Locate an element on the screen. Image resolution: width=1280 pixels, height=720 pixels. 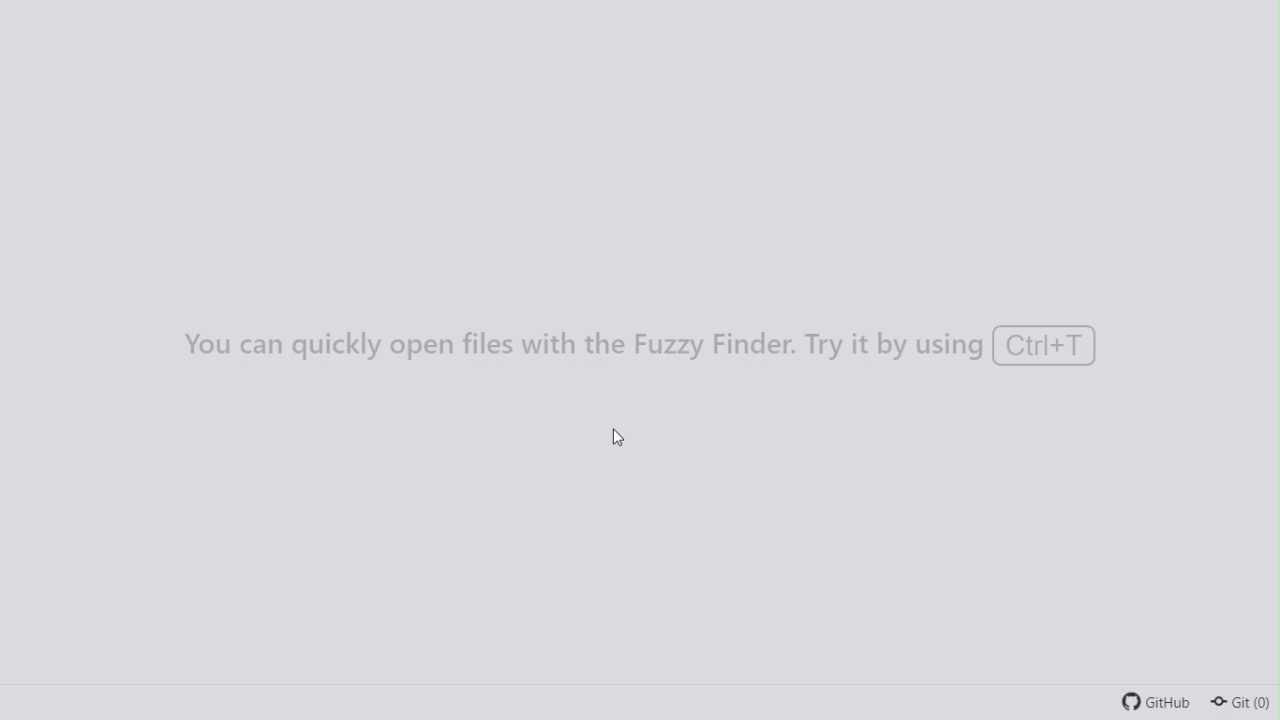
Git Hub is located at coordinates (1153, 703).